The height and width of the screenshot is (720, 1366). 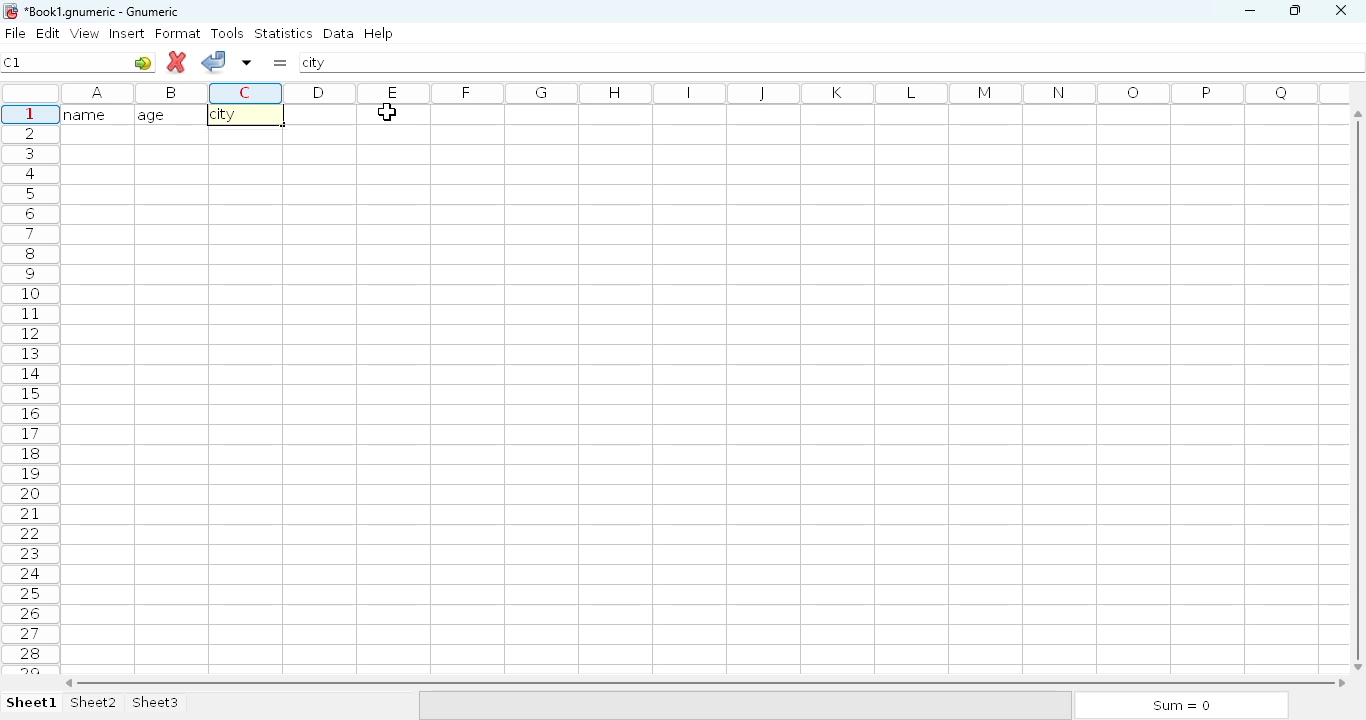 I want to click on sheet2, so click(x=95, y=703).